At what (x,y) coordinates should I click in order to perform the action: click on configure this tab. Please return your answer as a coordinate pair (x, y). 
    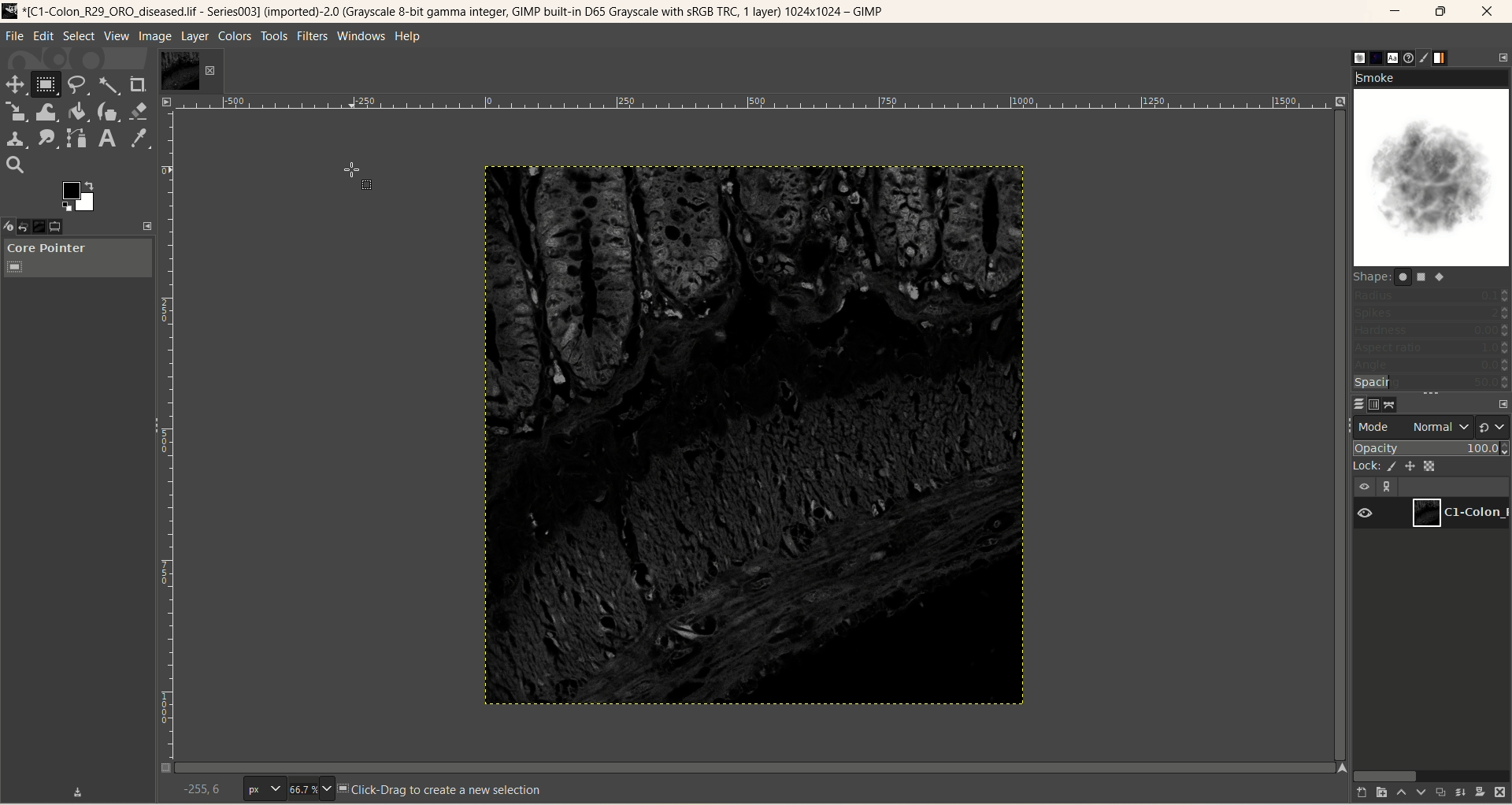
    Looking at the image, I should click on (1501, 57).